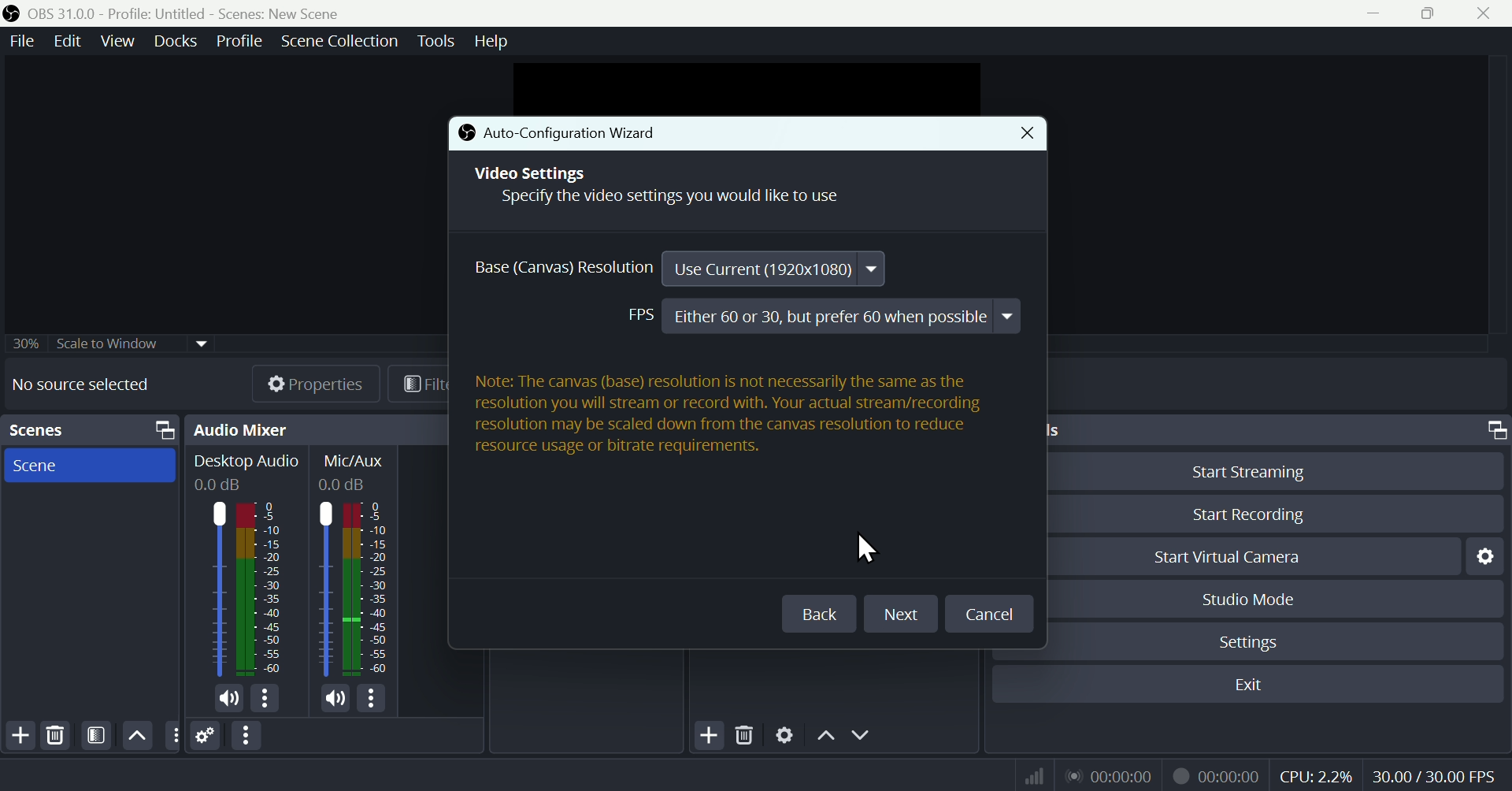 This screenshot has height=791, width=1512. I want to click on Signal, so click(1028, 775).